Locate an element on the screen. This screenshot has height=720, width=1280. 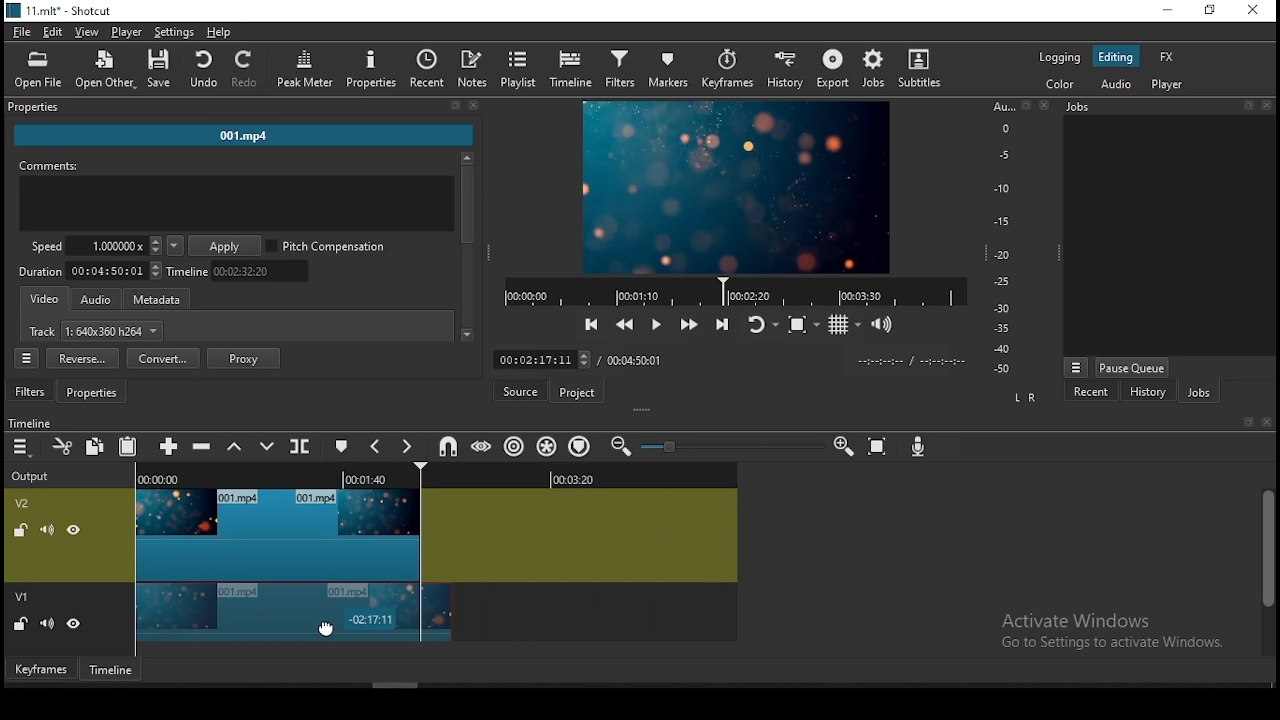
save is located at coordinates (159, 68).